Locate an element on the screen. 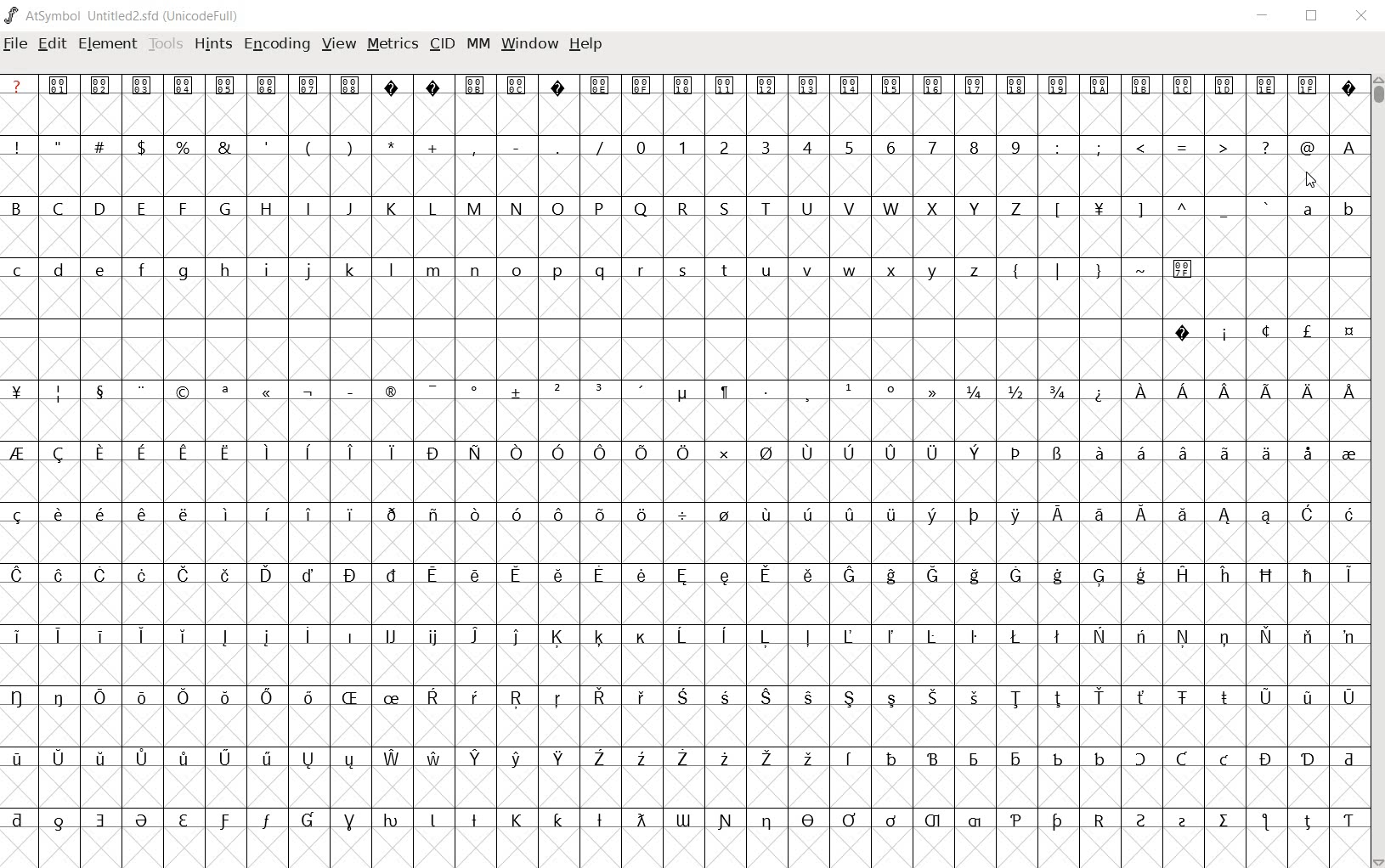 The width and height of the screenshot is (1385, 868). ELEMENT is located at coordinates (108, 45).